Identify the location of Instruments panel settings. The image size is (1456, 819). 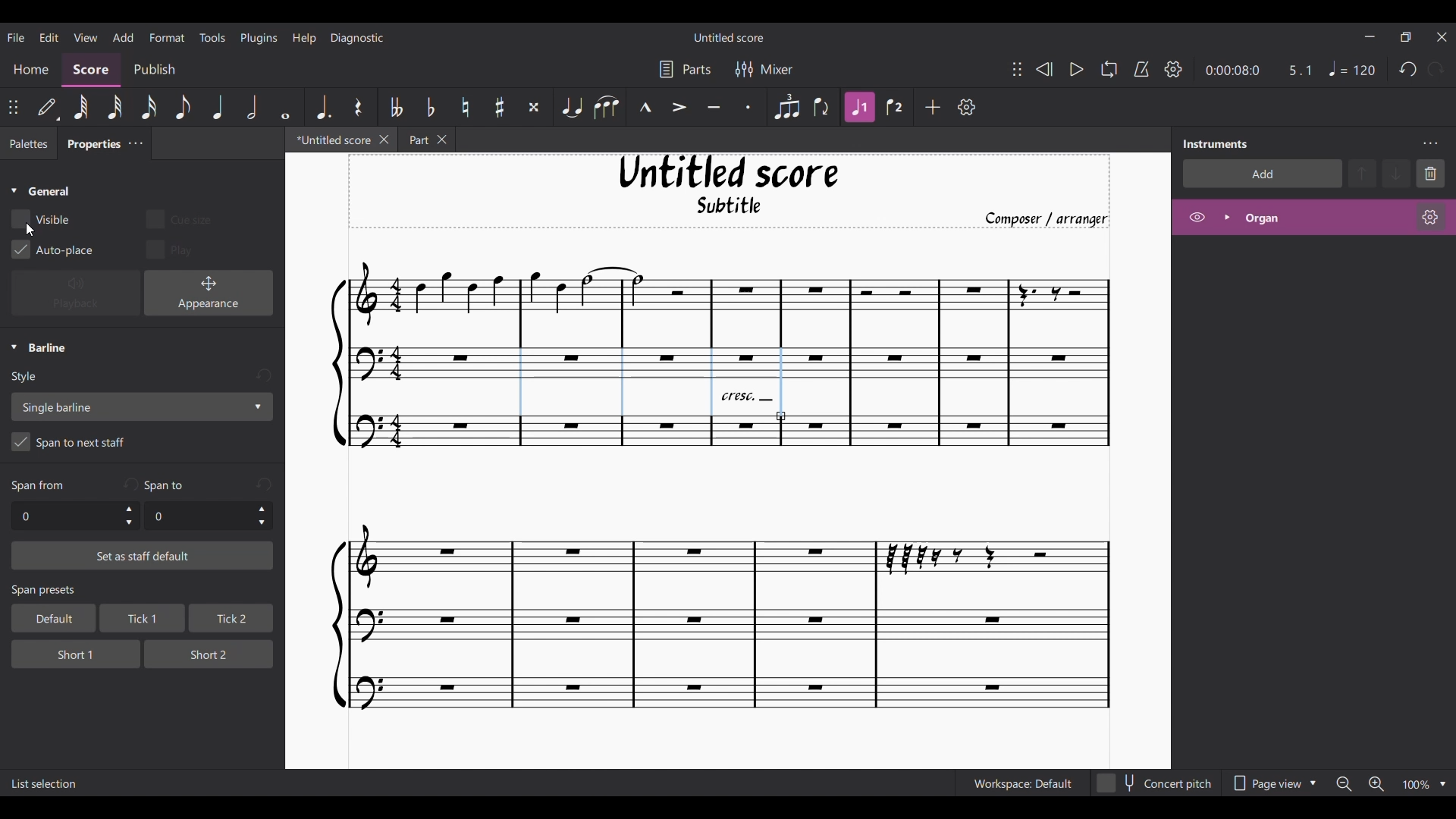
(1430, 143).